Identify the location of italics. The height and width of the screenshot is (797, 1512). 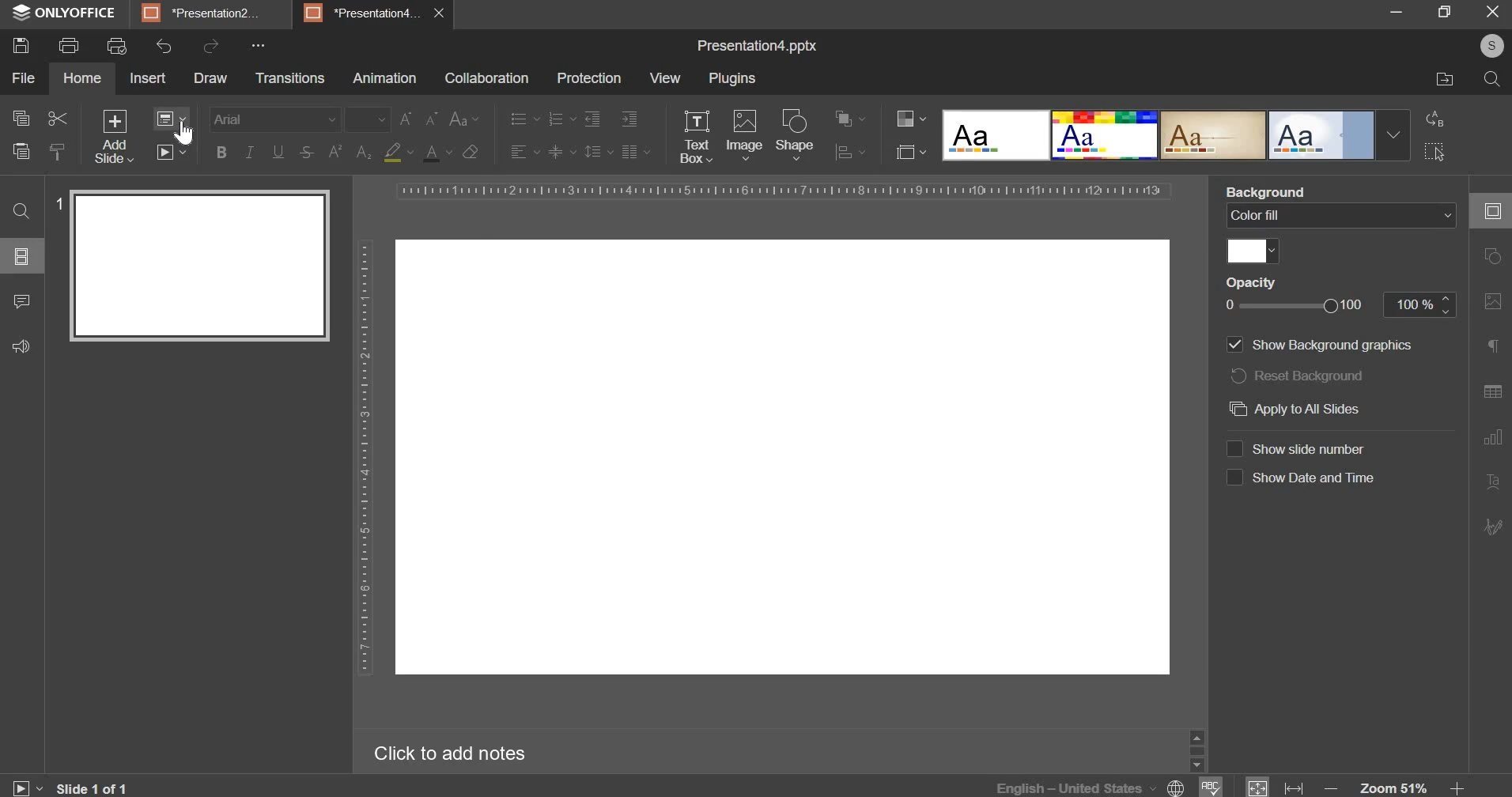
(250, 149).